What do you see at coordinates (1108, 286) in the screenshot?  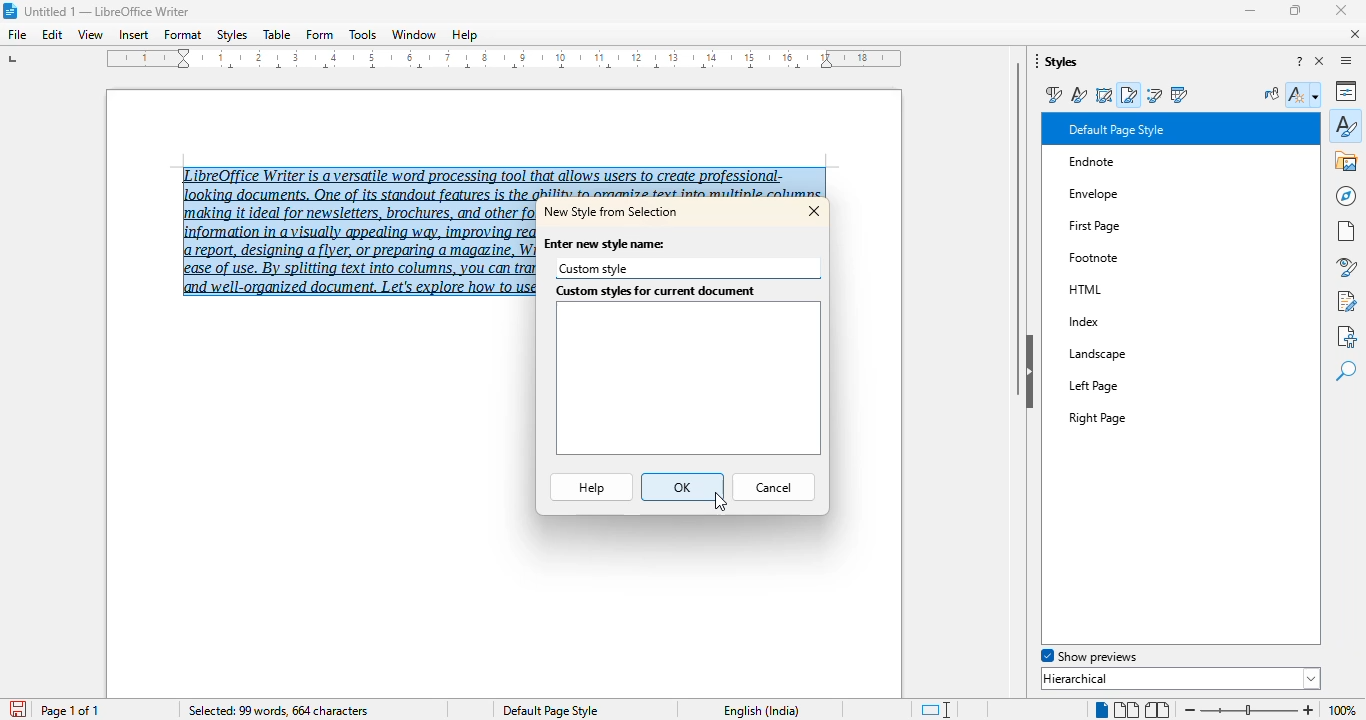 I see `HTML` at bounding box center [1108, 286].